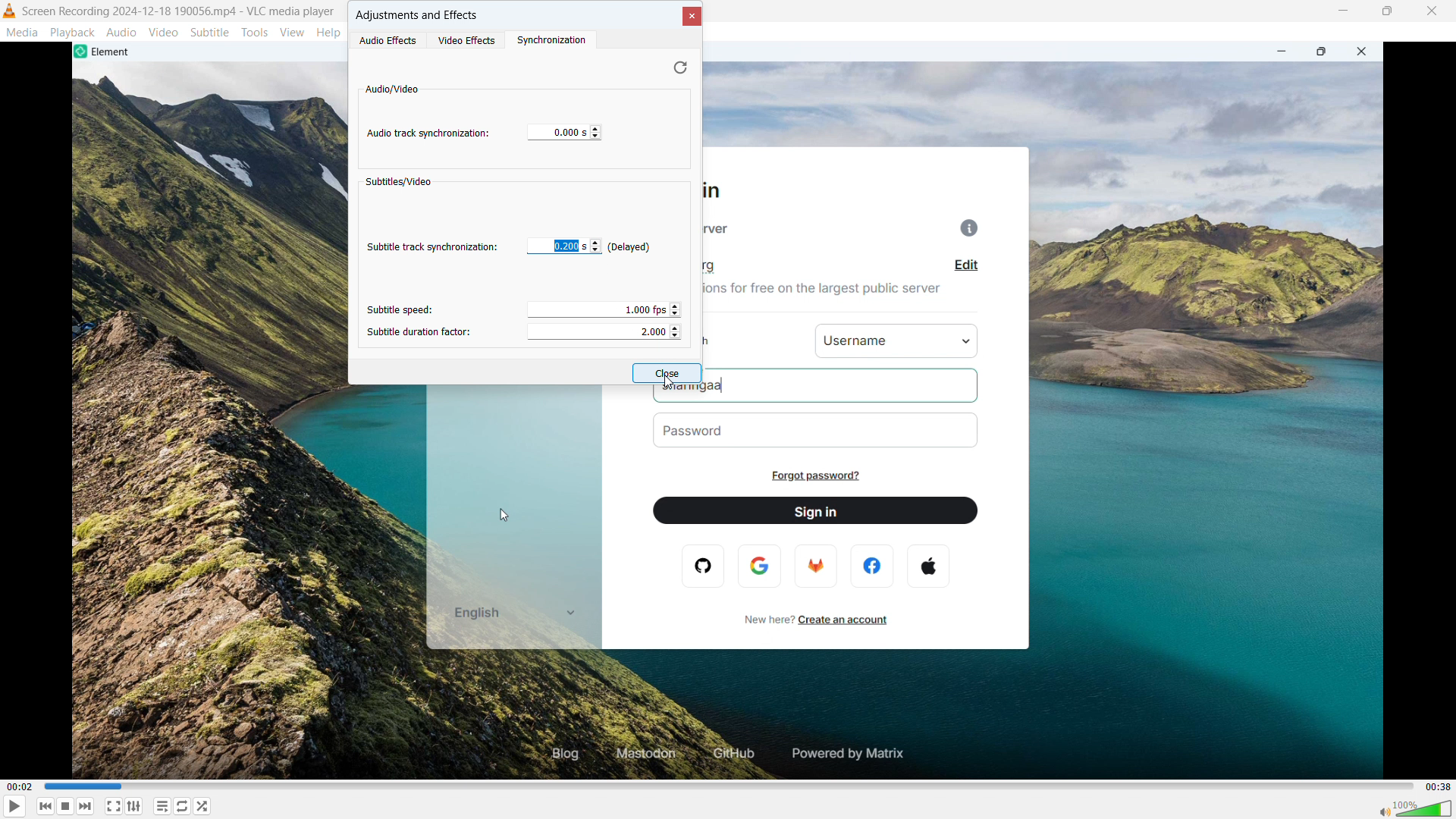  Describe the element at coordinates (1282, 52) in the screenshot. I see `minimize` at that location.